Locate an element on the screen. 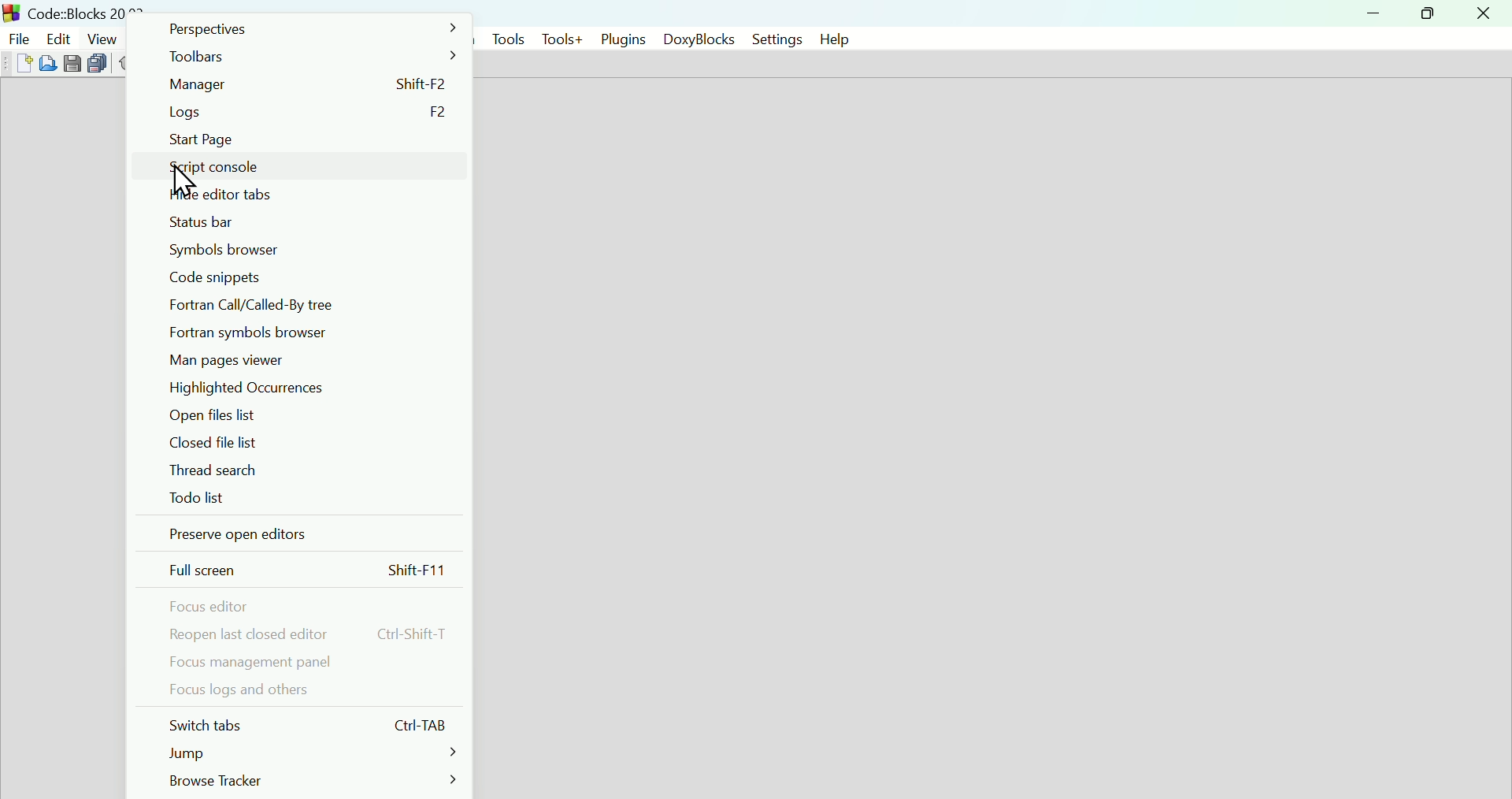 This screenshot has width=1512, height=799. edit is located at coordinates (57, 36).